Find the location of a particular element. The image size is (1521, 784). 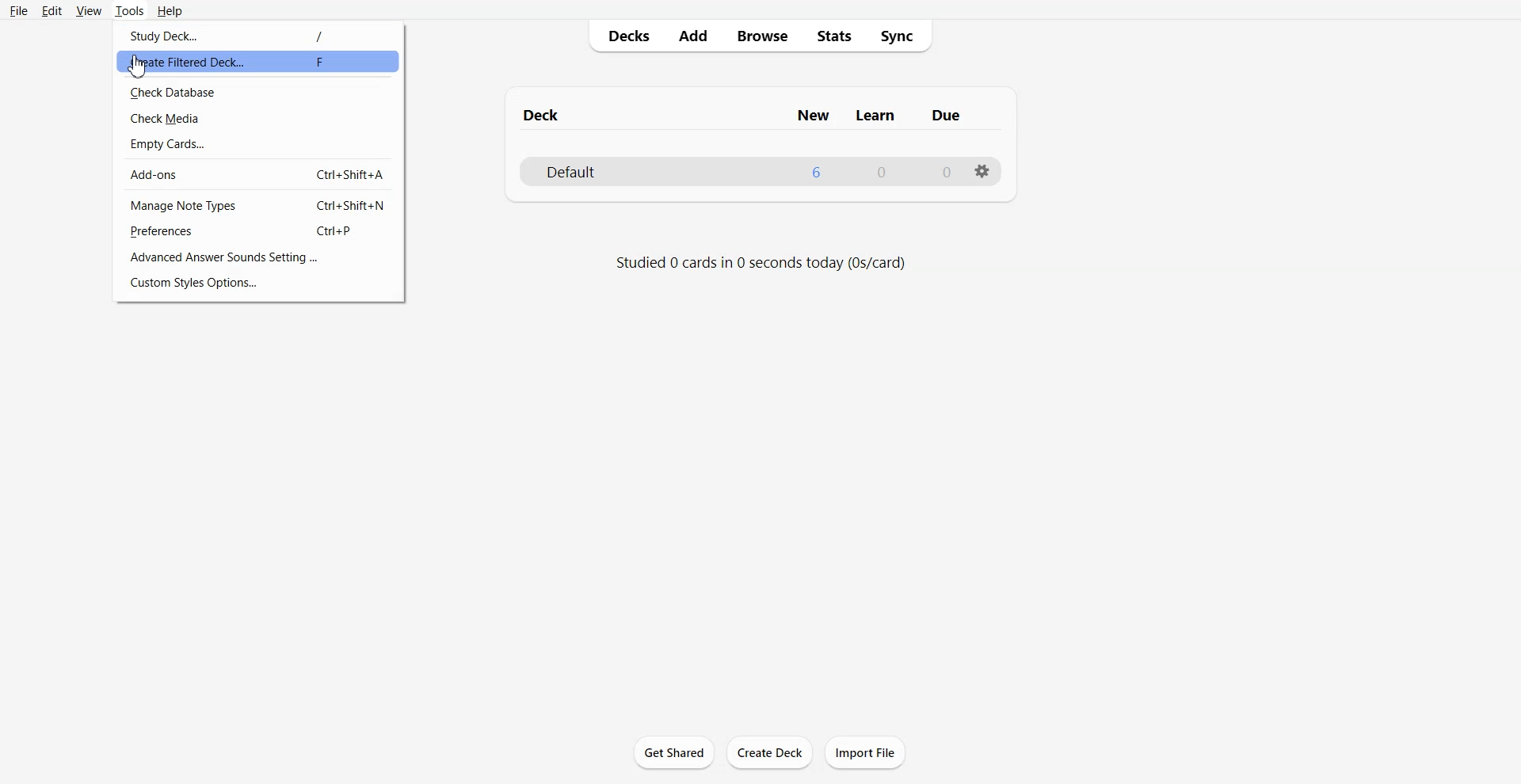

Settings is located at coordinates (982, 171).